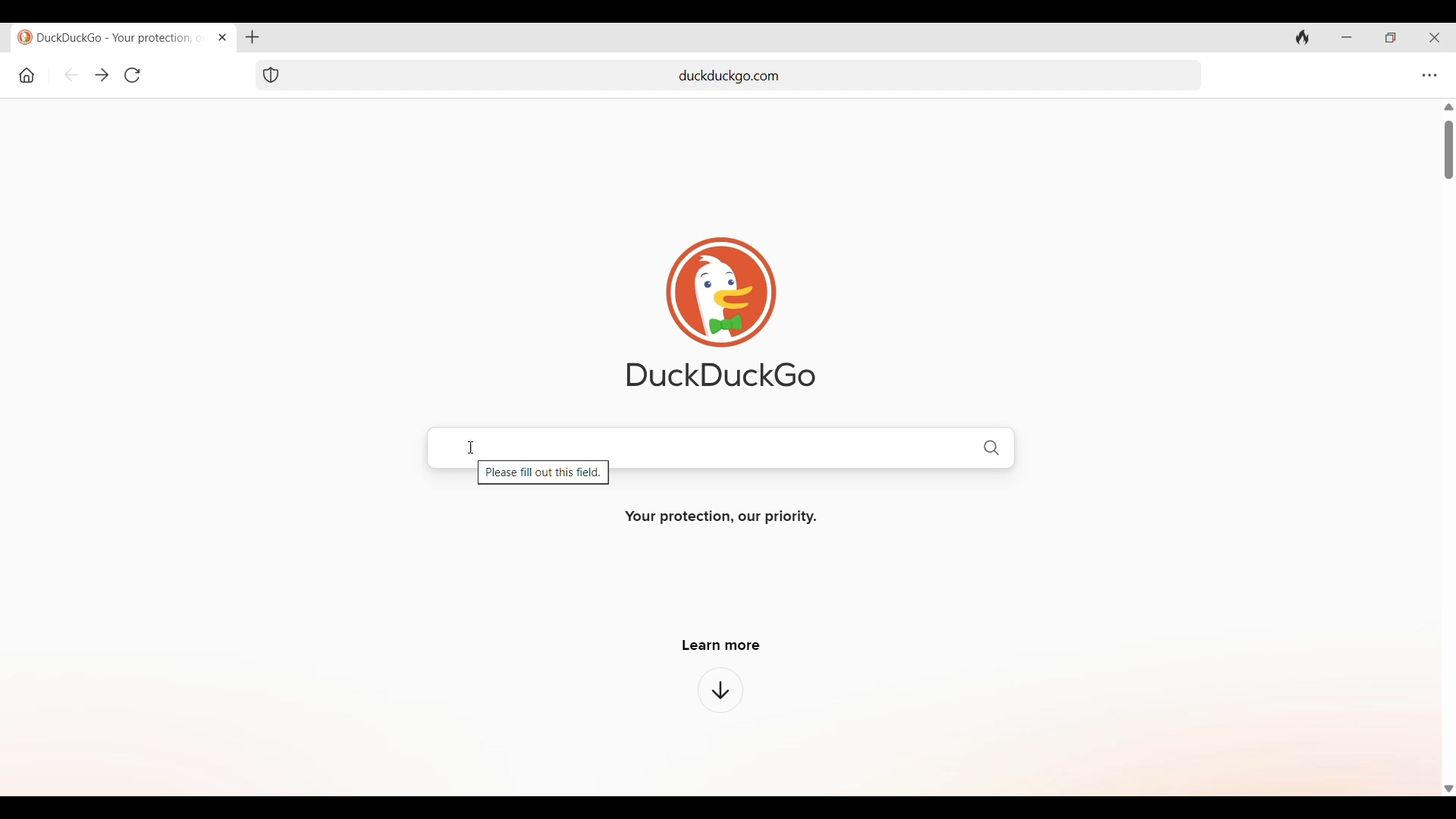 The image size is (1456, 819). Describe the element at coordinates (721, 645) in the screenshot. I see `Learn more` at that location.